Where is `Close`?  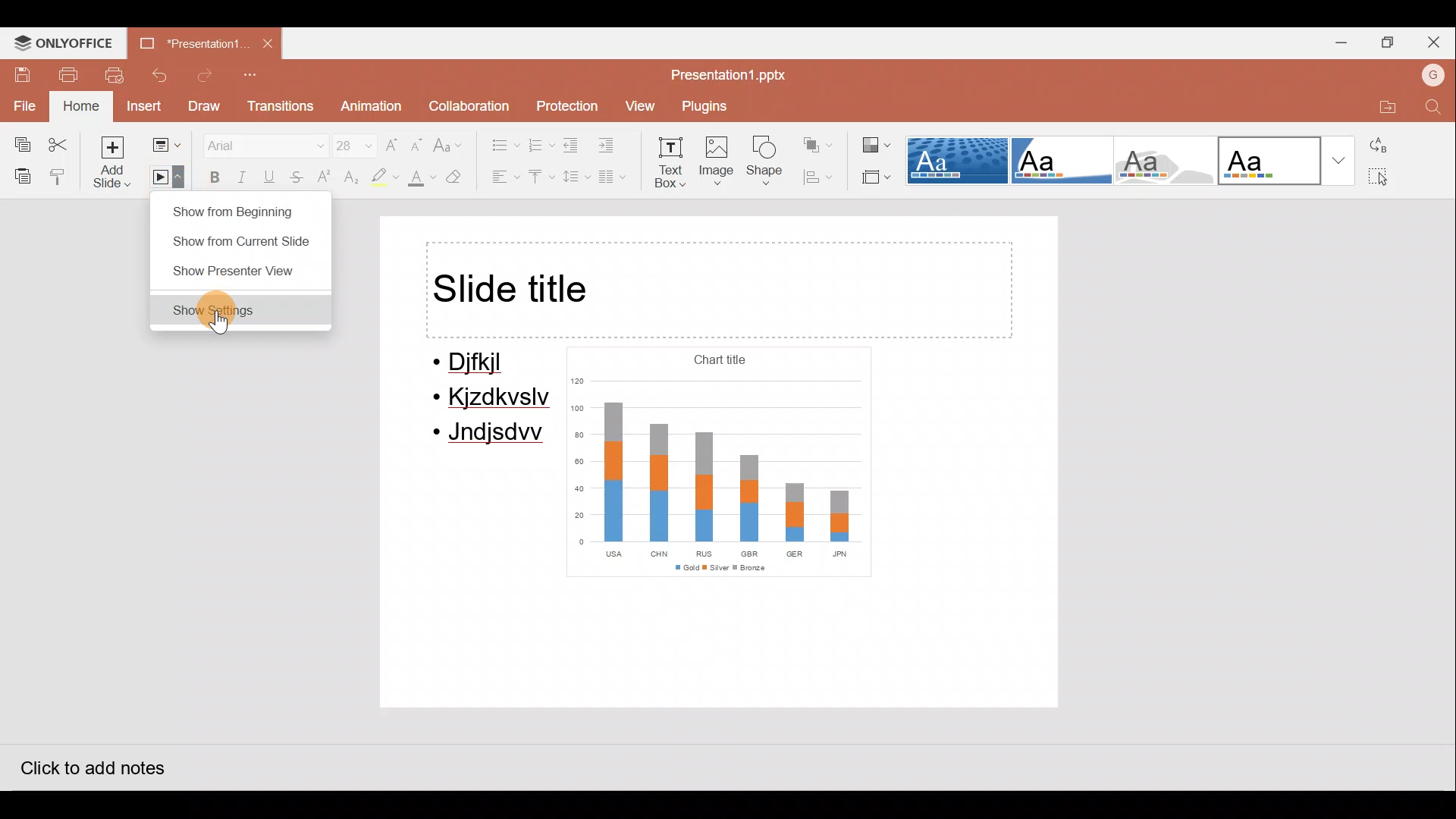
Close is located at coordinates (1433, 39).